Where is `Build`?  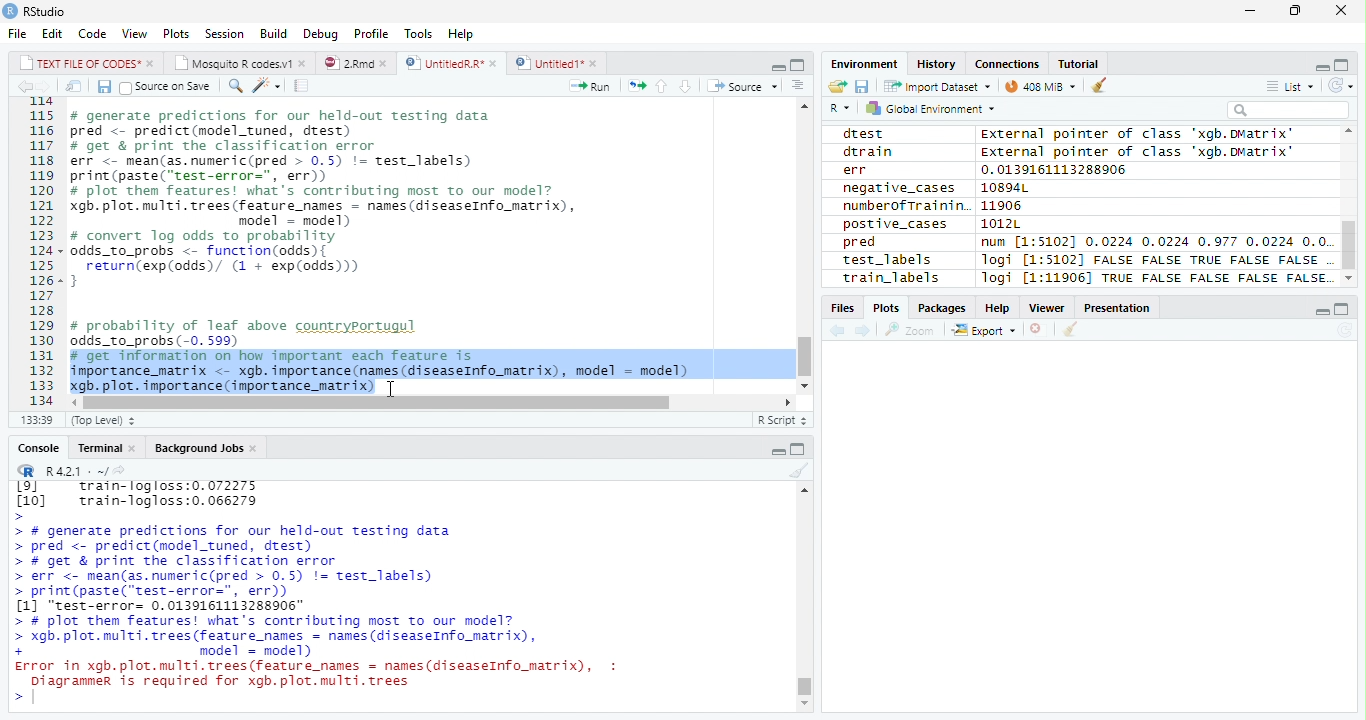
Build is located at coordinates (274, 34).